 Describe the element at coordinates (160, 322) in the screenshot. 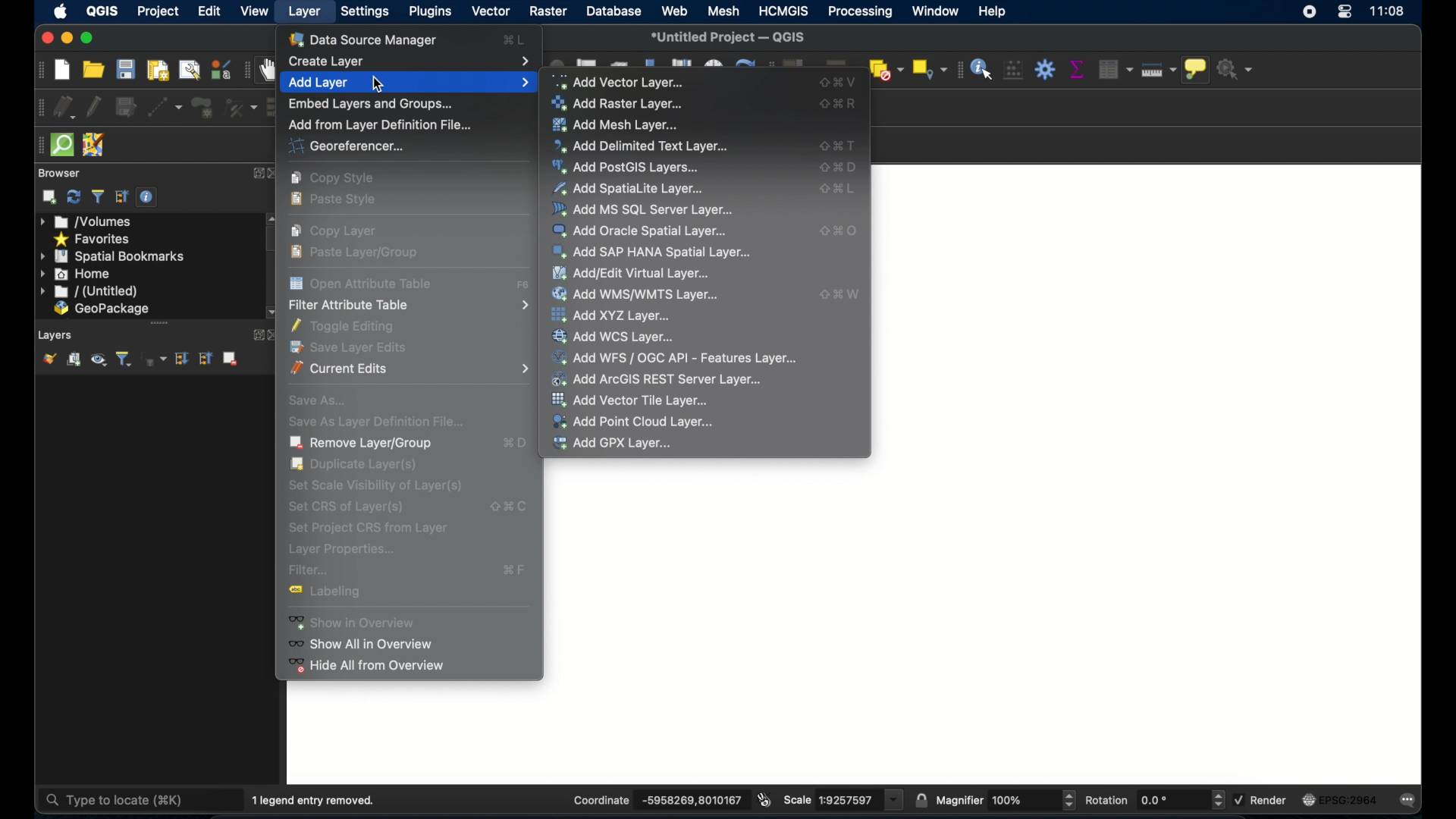

I see `drag handle` at that location.